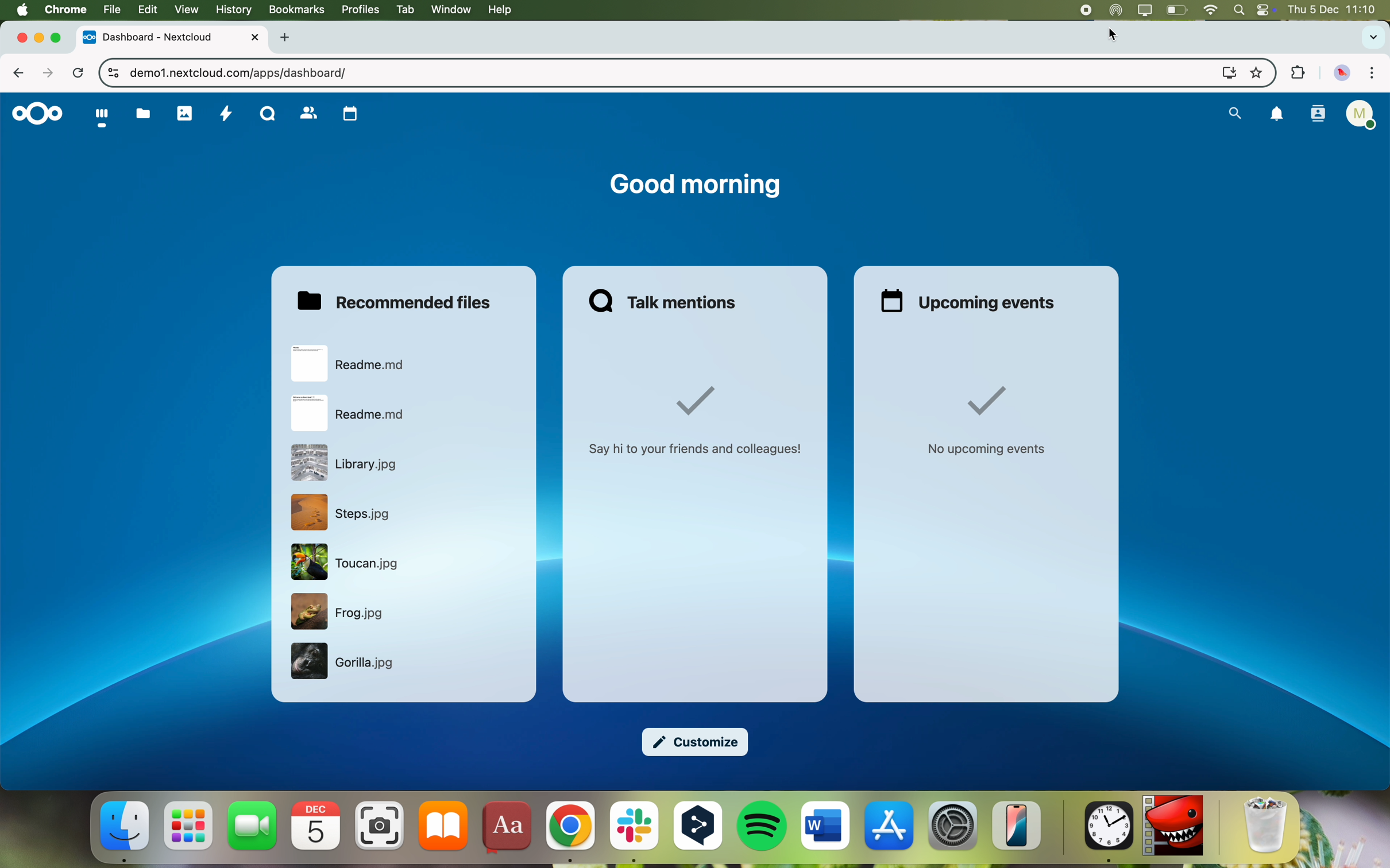 Image resolution: width=1390 pixels, height=868 pixels. What do you see at coordinates (1278, 118) in the screenshot?
I see `click on notifications` at bounding box center [1278, 118].